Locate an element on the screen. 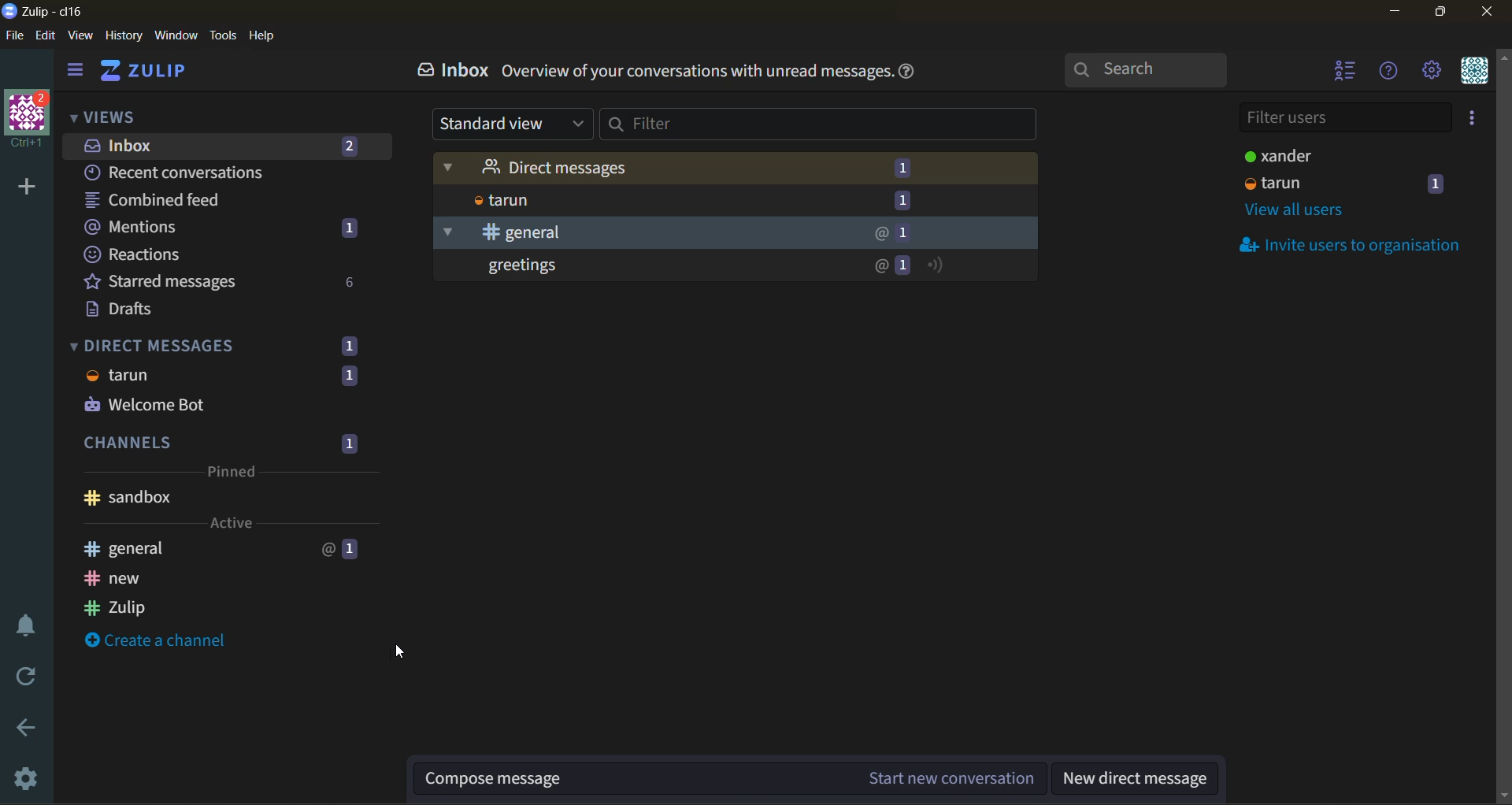 The image size is (1512, 805). maximize is located at coordinates (1450, 14).